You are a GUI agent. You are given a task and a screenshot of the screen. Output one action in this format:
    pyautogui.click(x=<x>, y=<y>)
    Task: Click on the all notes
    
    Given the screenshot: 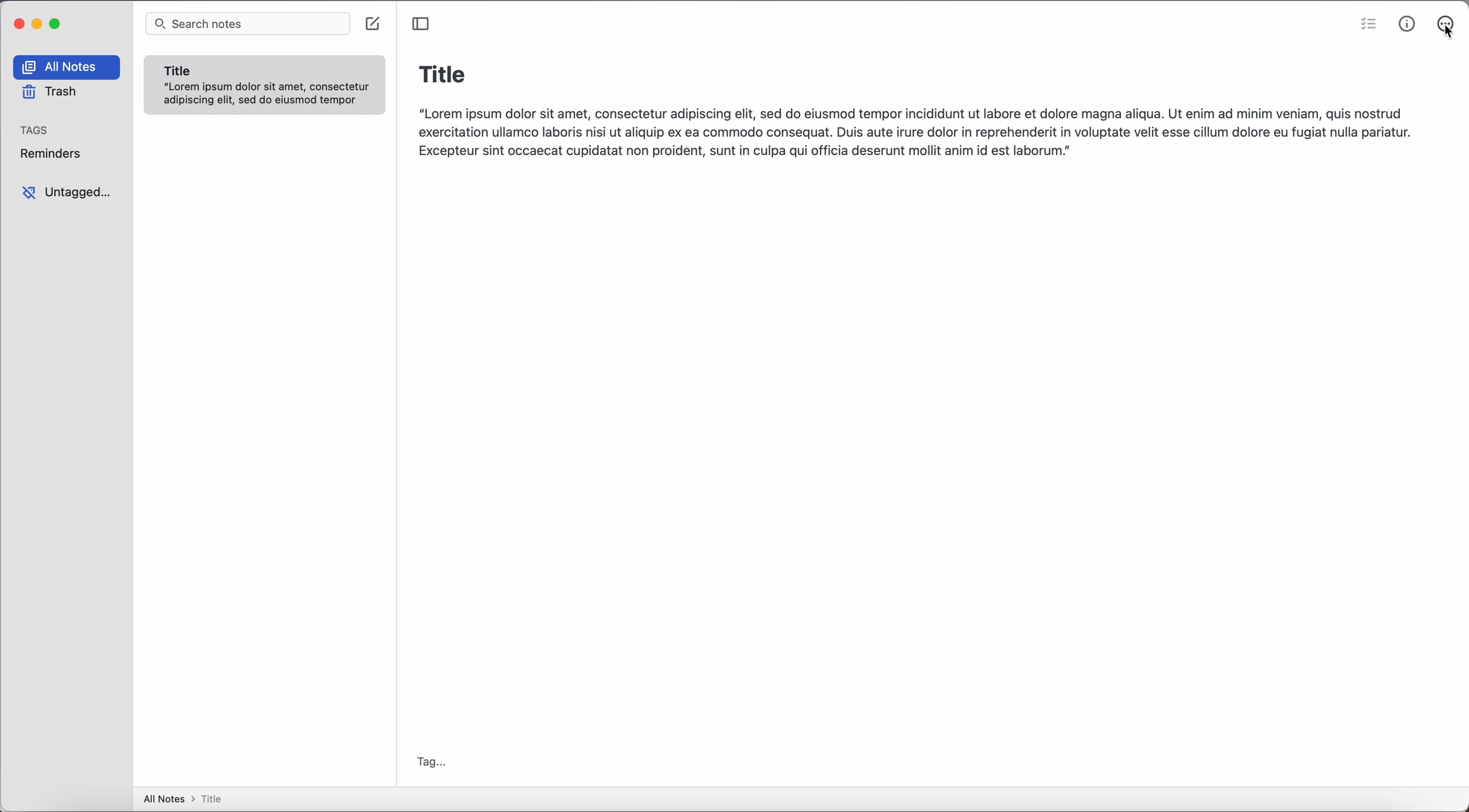 What is the action you would take?
    pyautogui.click(x=188, y=800)
    